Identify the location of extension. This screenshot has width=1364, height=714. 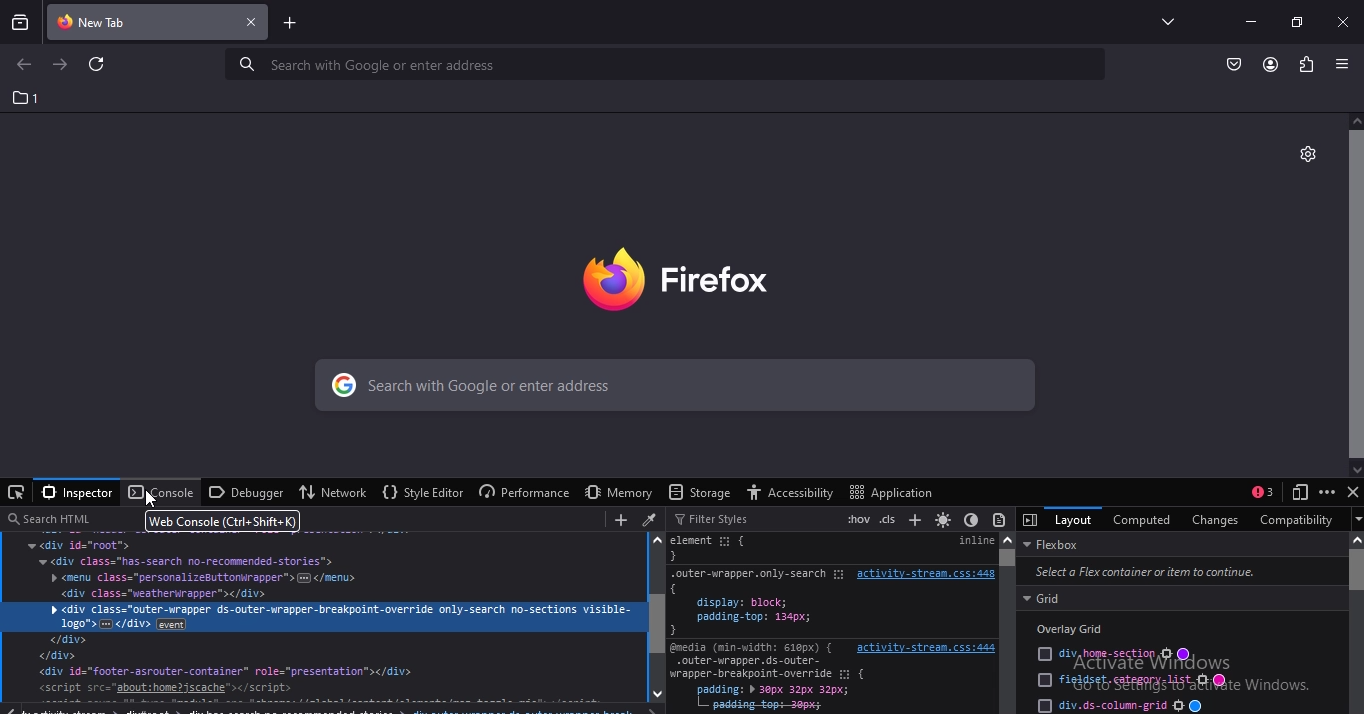
(1307, 65).